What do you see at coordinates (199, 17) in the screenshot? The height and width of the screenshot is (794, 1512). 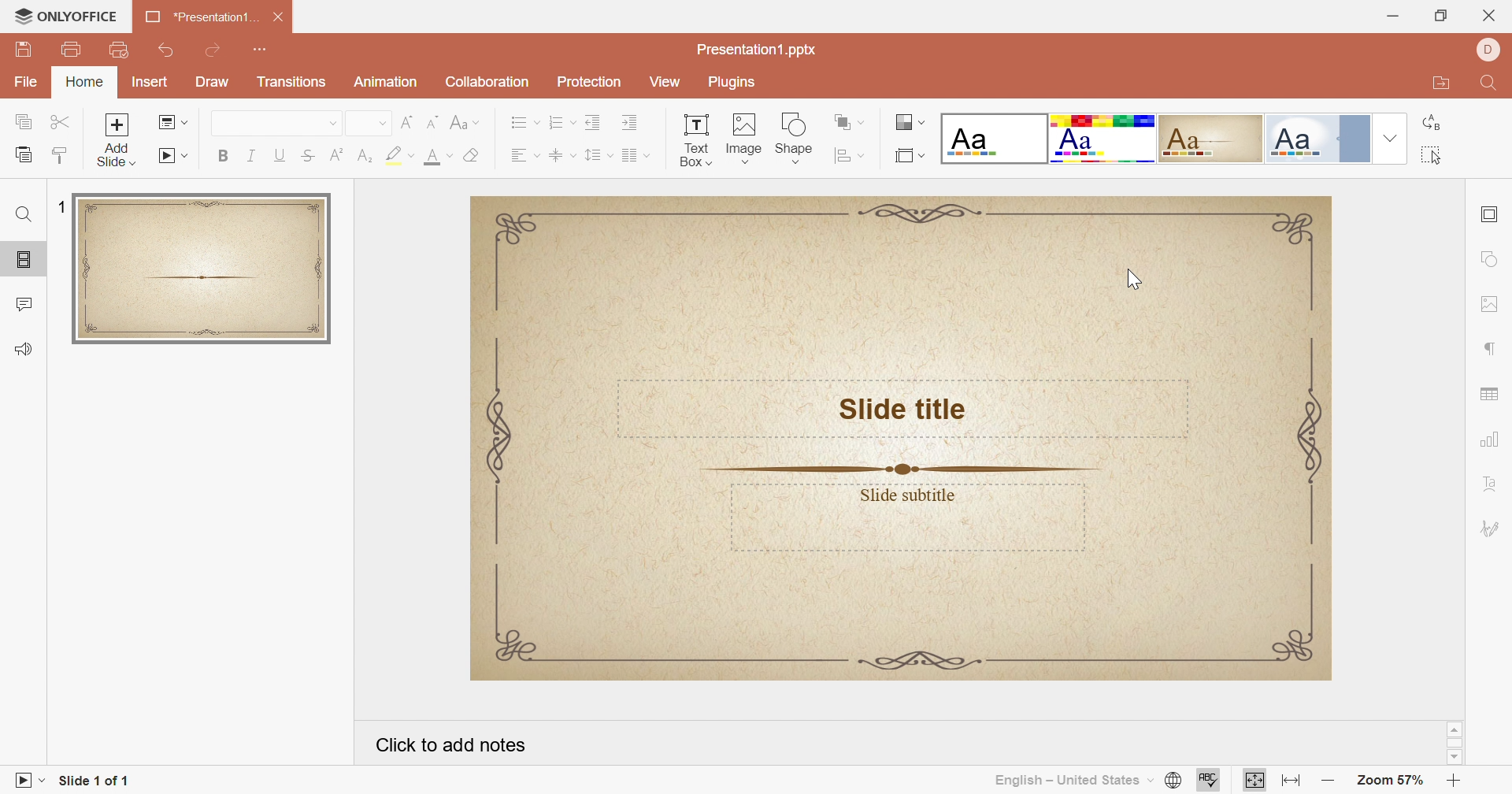 I see `Presentation1...` at bounding box center [199, 17].